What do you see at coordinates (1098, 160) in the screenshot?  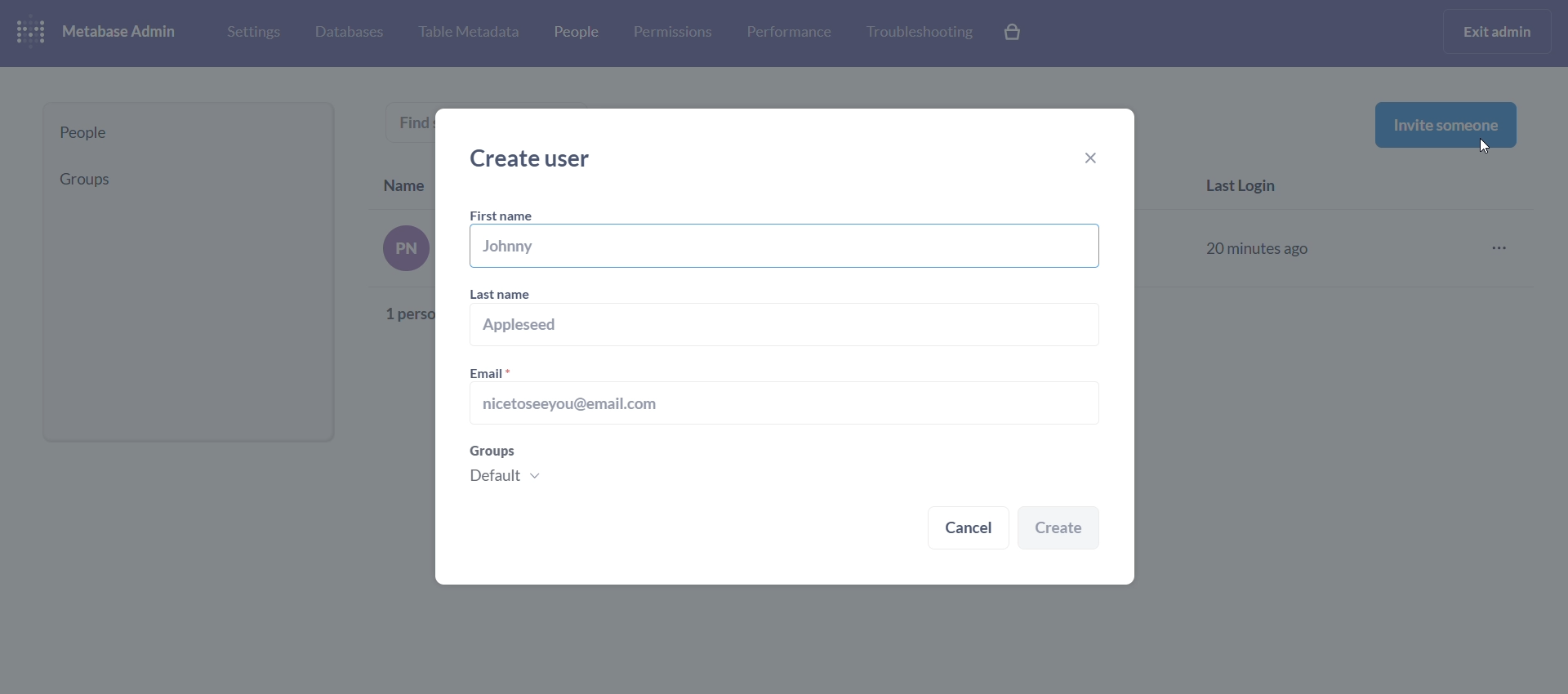 I see `close` at bounding box center [1098, 160].